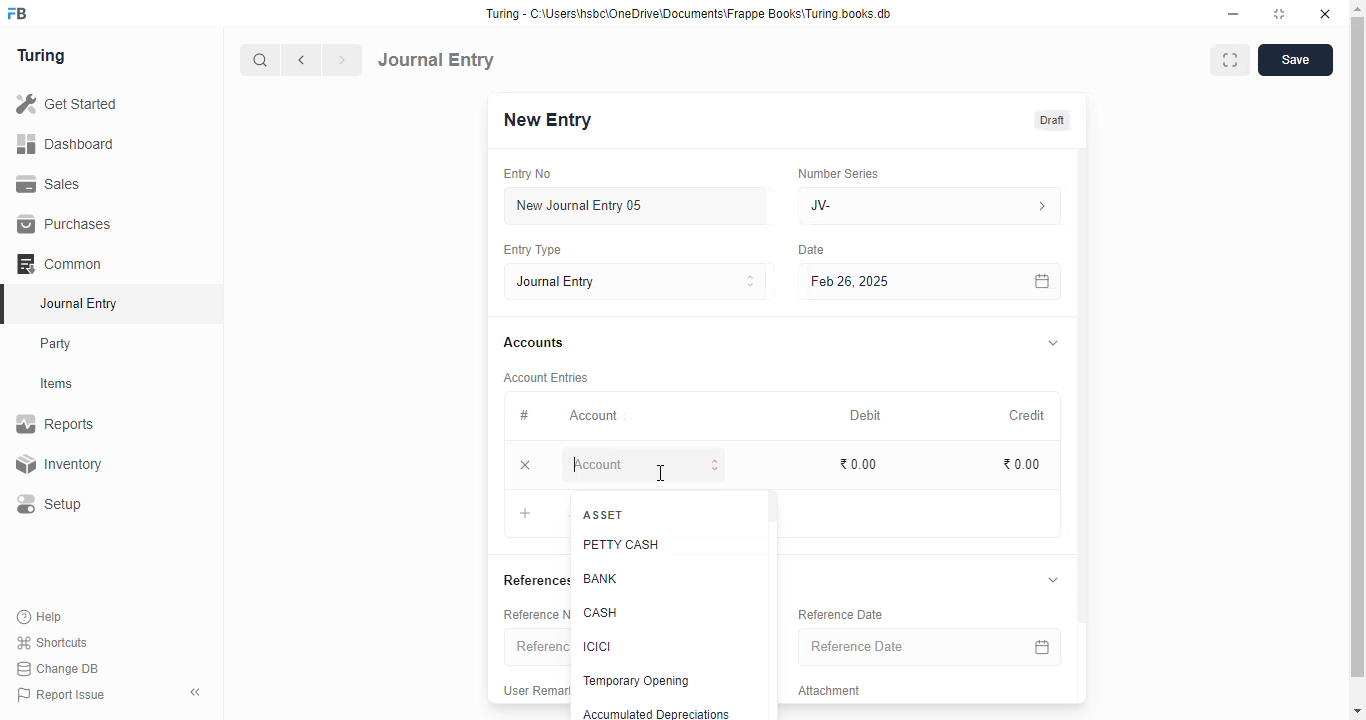 The width and height of the screenshot is (1366, 720). Describe the element at coordinates (601, 613) in the screenshot. I see `cash` at that location.